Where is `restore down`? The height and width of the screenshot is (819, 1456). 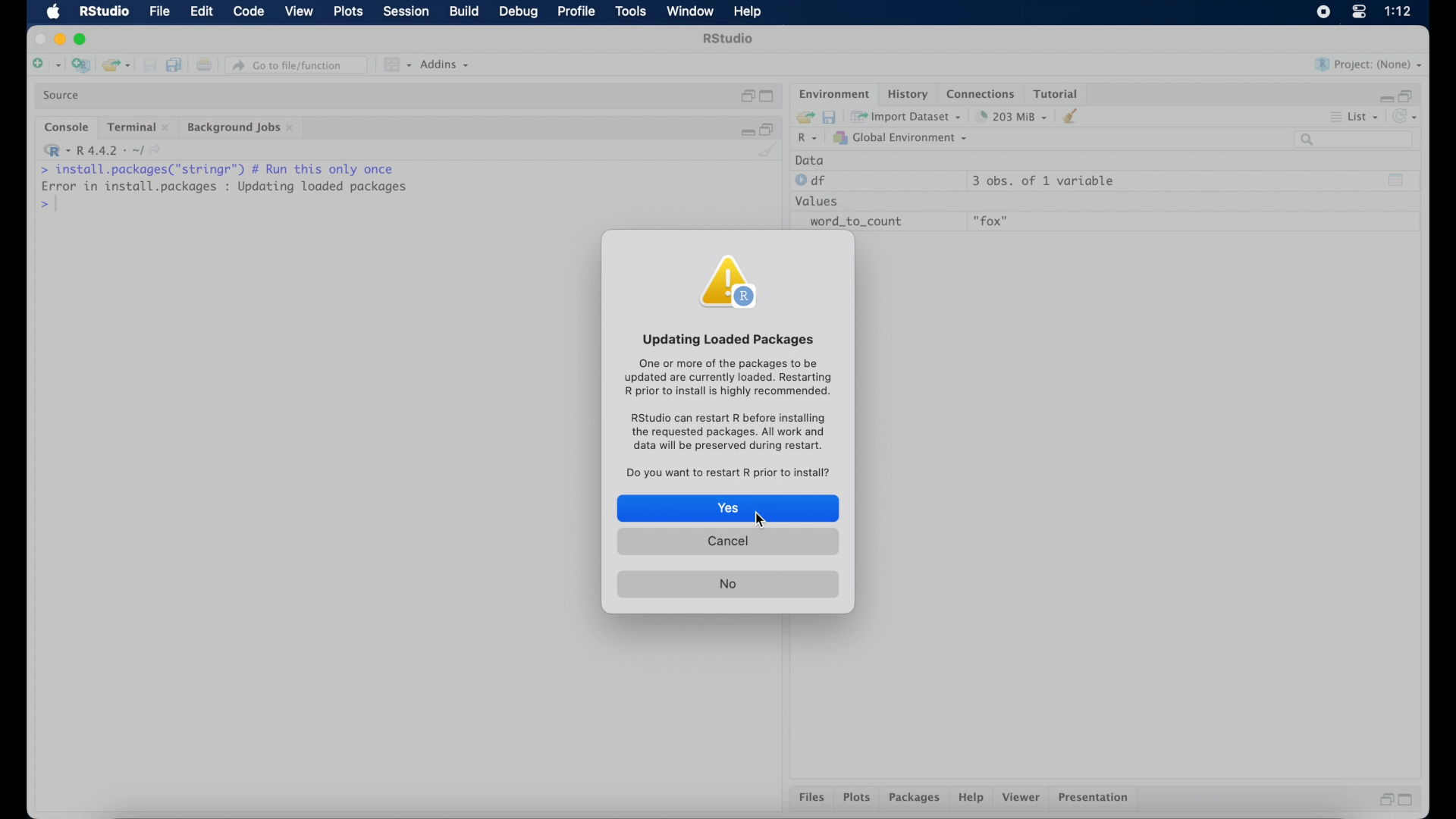 restore down is located at coordinates (1407, 95).